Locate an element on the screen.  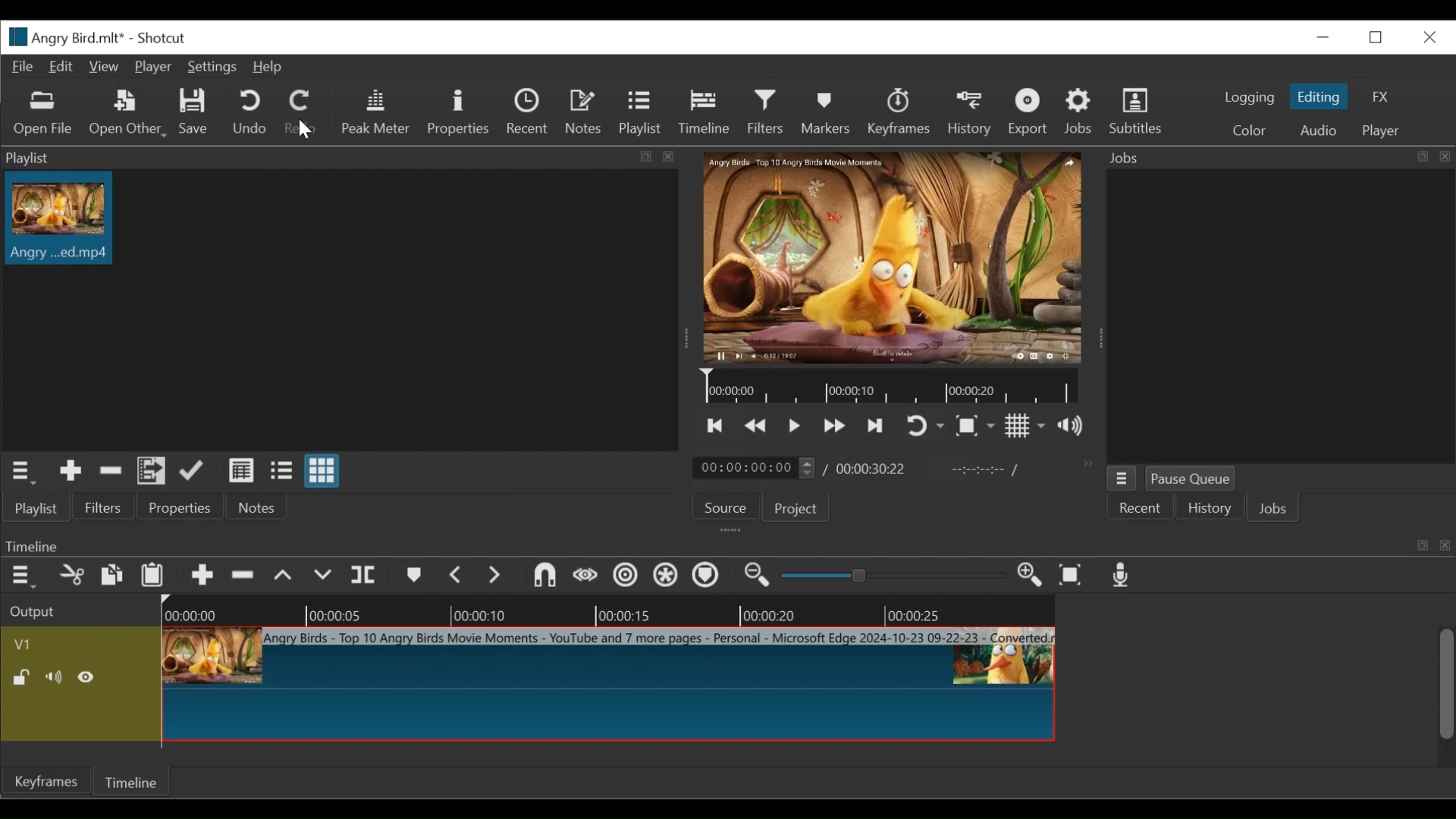
Next marker is located at coordinates (495, 576).